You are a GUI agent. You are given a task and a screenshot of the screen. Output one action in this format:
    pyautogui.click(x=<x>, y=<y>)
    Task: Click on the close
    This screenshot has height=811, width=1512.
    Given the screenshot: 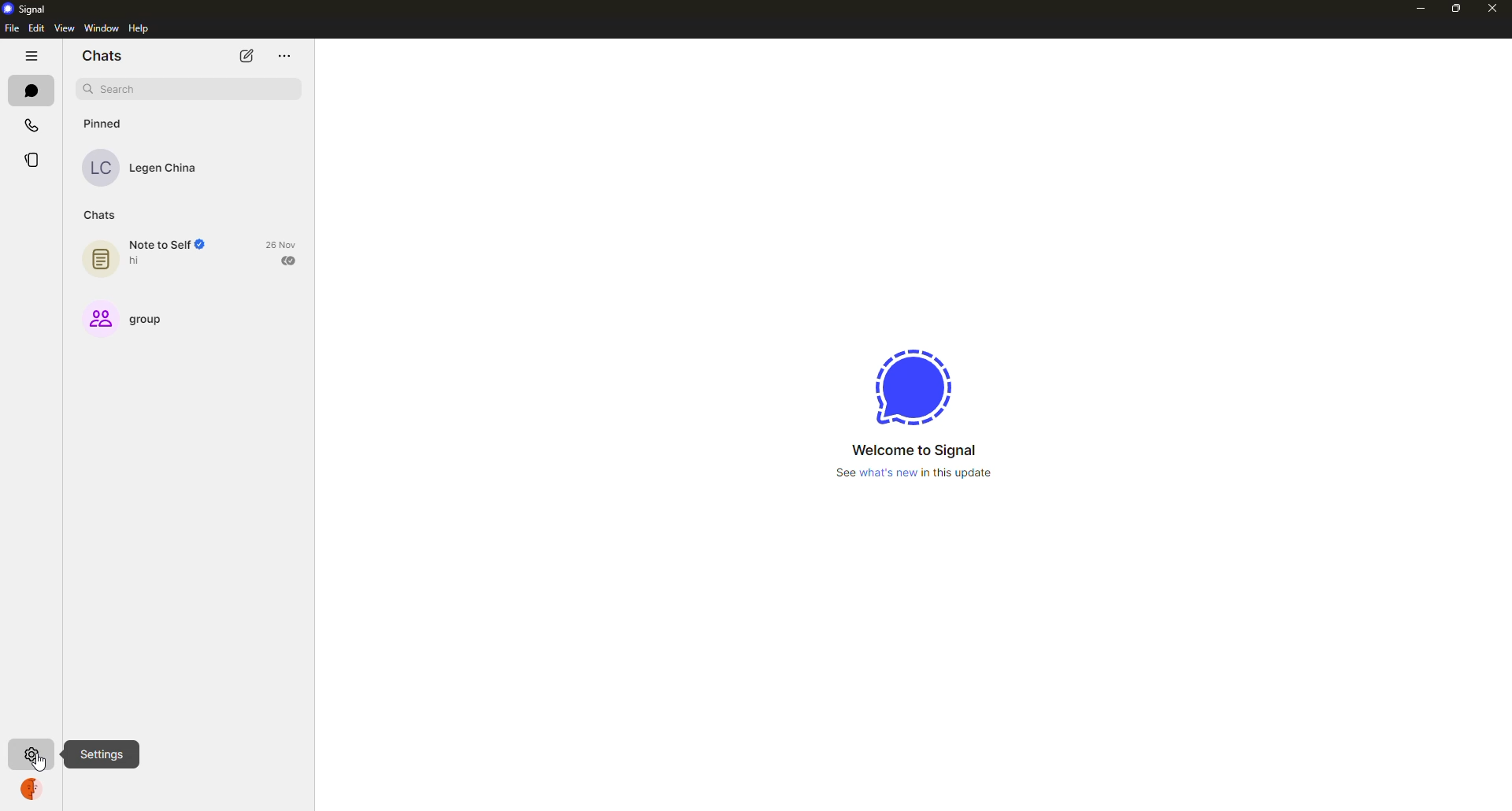 What is the action you would take?
    pyautogui.click(x=1491, y=9)
    